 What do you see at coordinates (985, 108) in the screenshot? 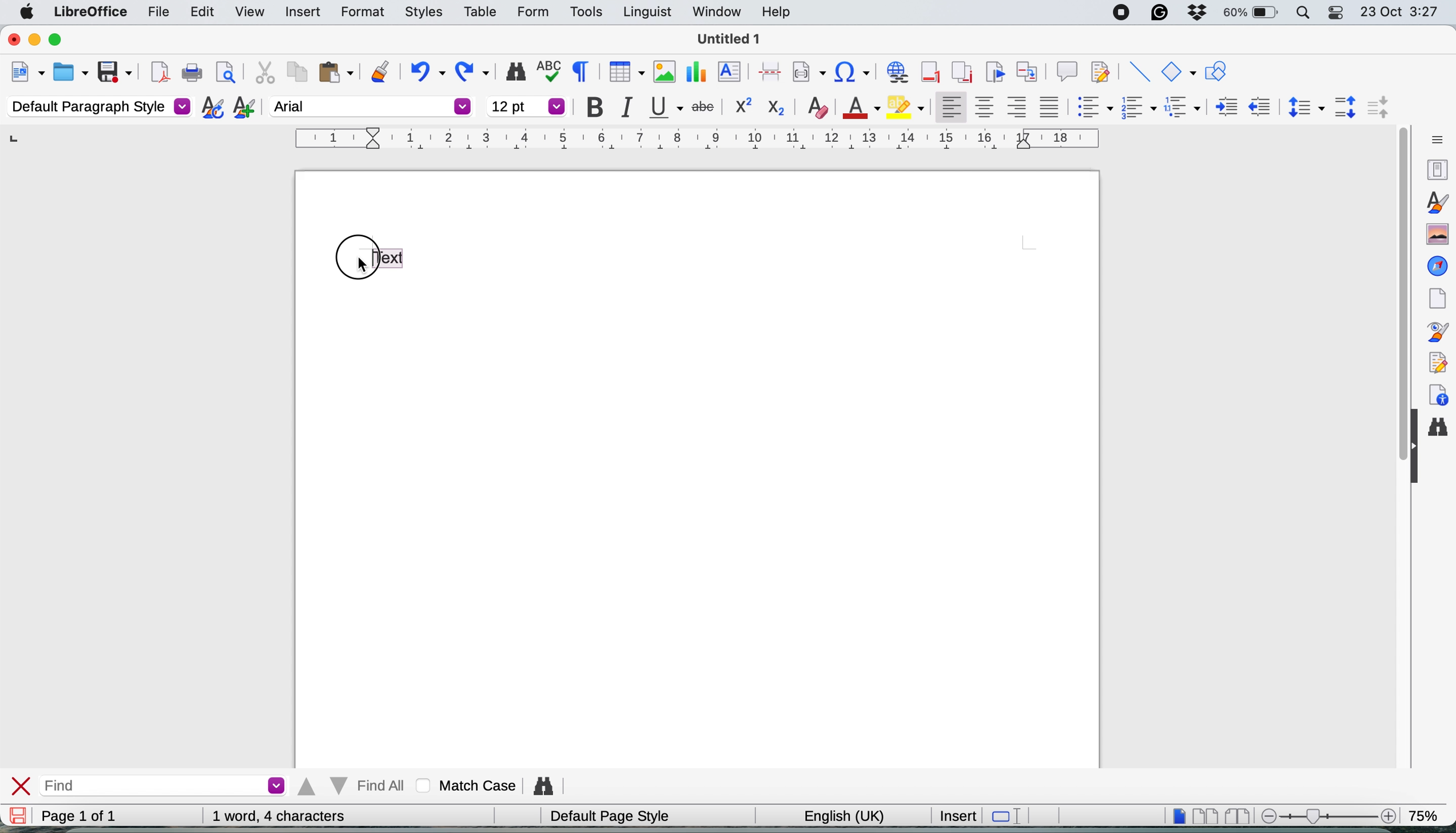
I see `align center` at bounding box center [985, 108].